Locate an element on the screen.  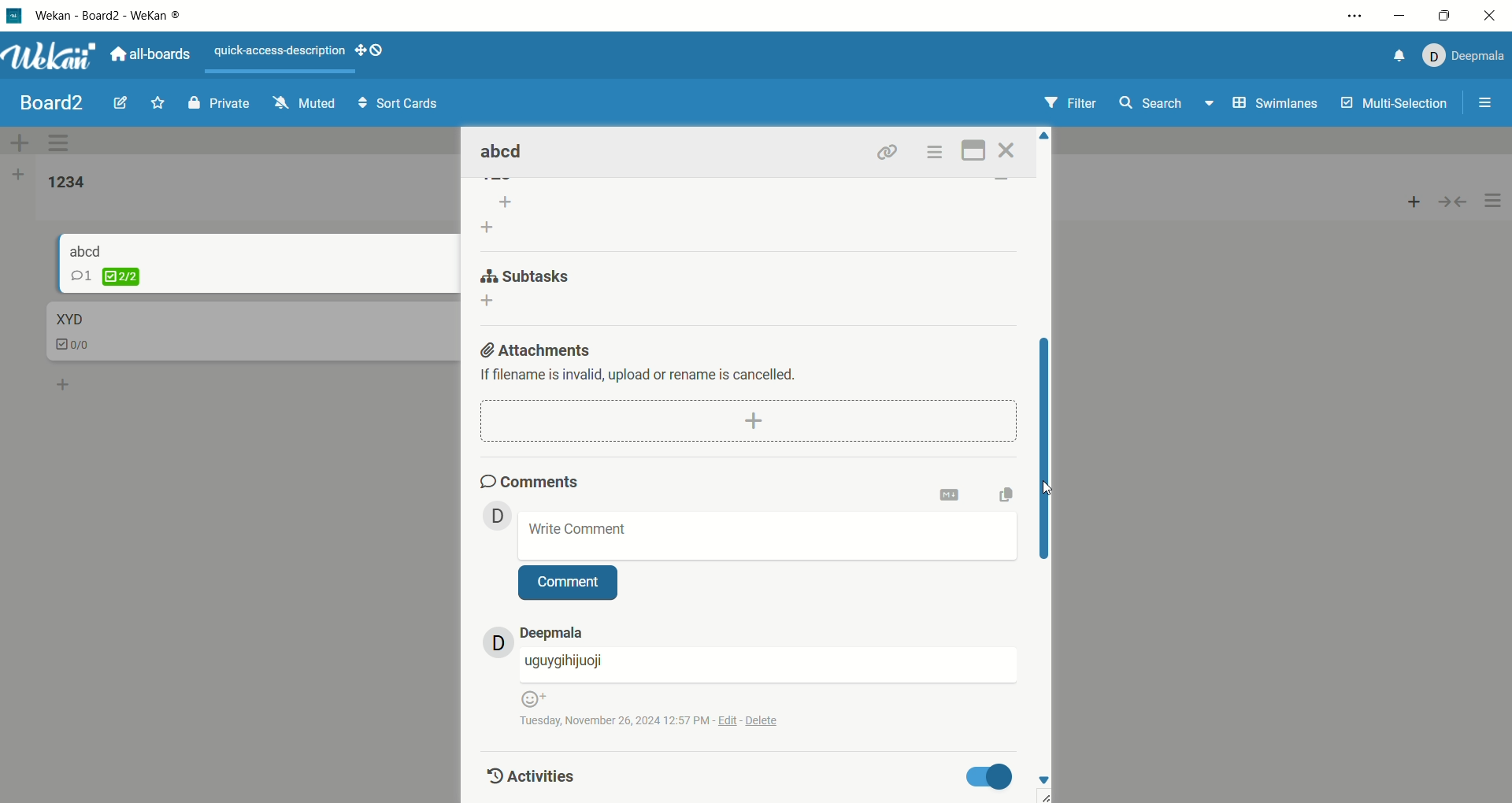
board title is located at coordinates (54, 103).